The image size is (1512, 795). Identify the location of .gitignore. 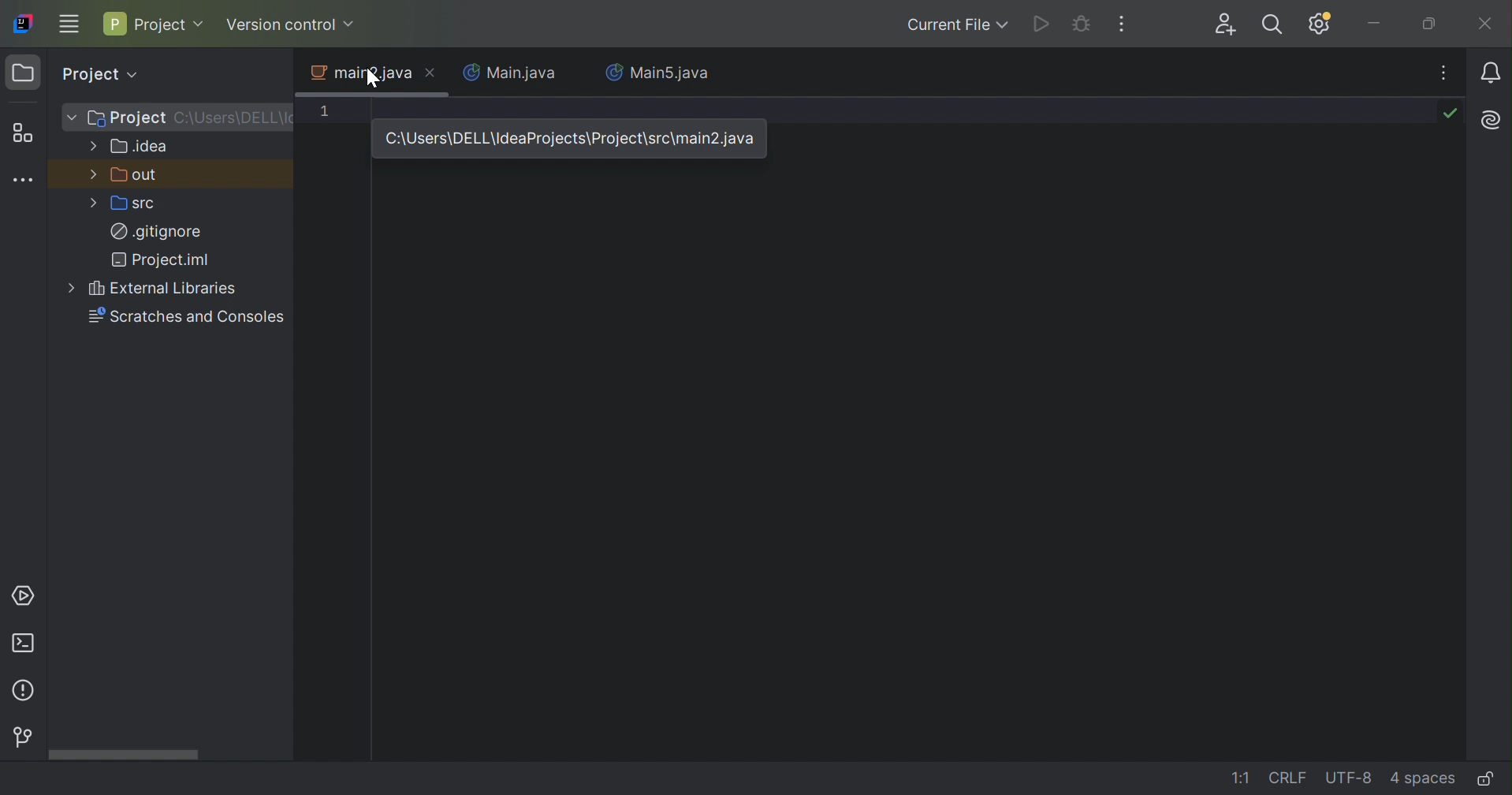
(157, 233).